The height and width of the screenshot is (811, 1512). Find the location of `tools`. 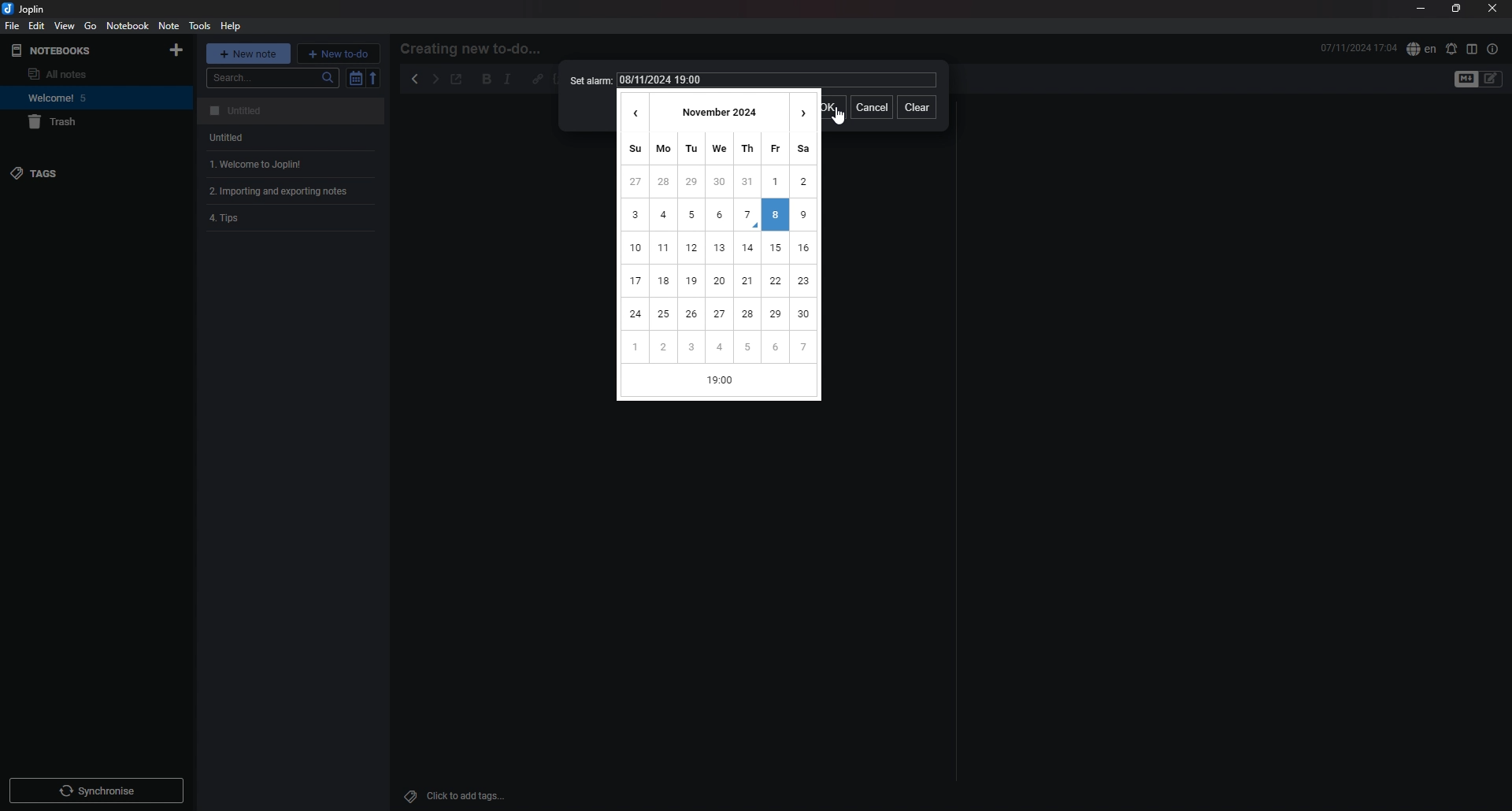

tools is located at coordinates (199, 26).